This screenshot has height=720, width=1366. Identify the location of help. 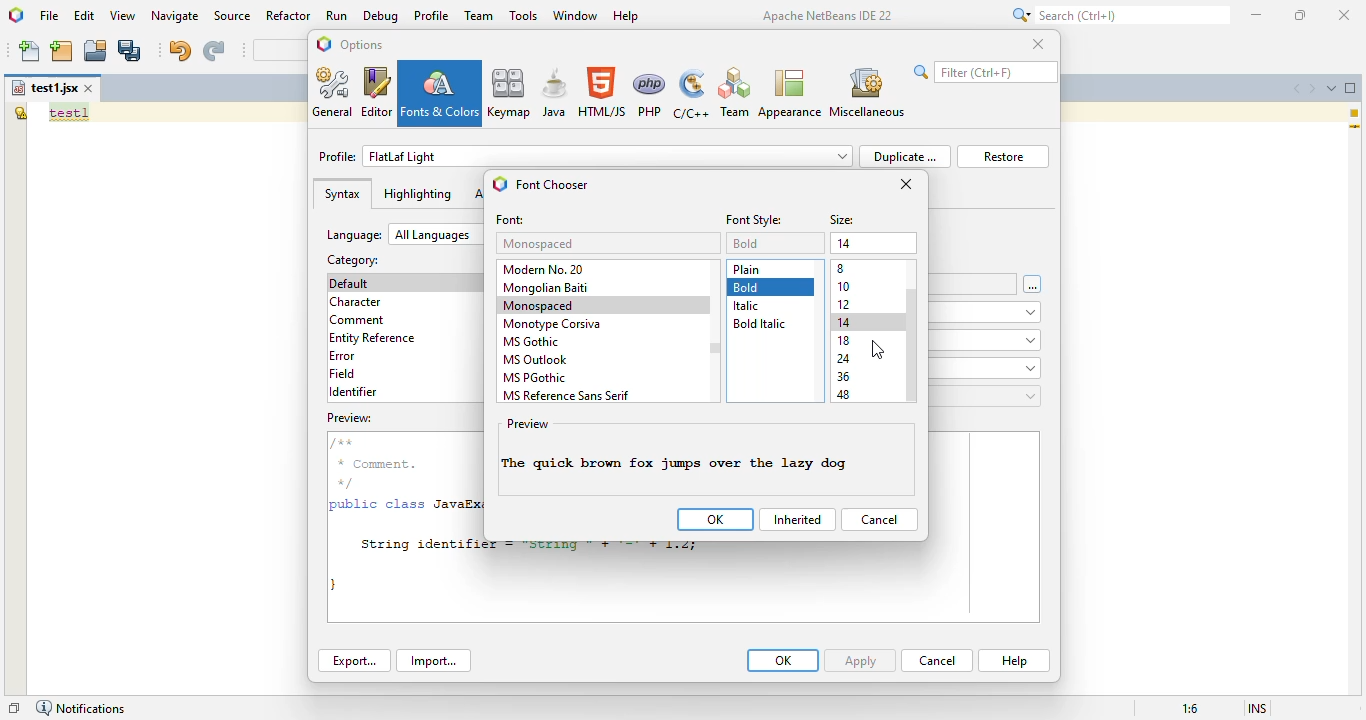
(626, 16).